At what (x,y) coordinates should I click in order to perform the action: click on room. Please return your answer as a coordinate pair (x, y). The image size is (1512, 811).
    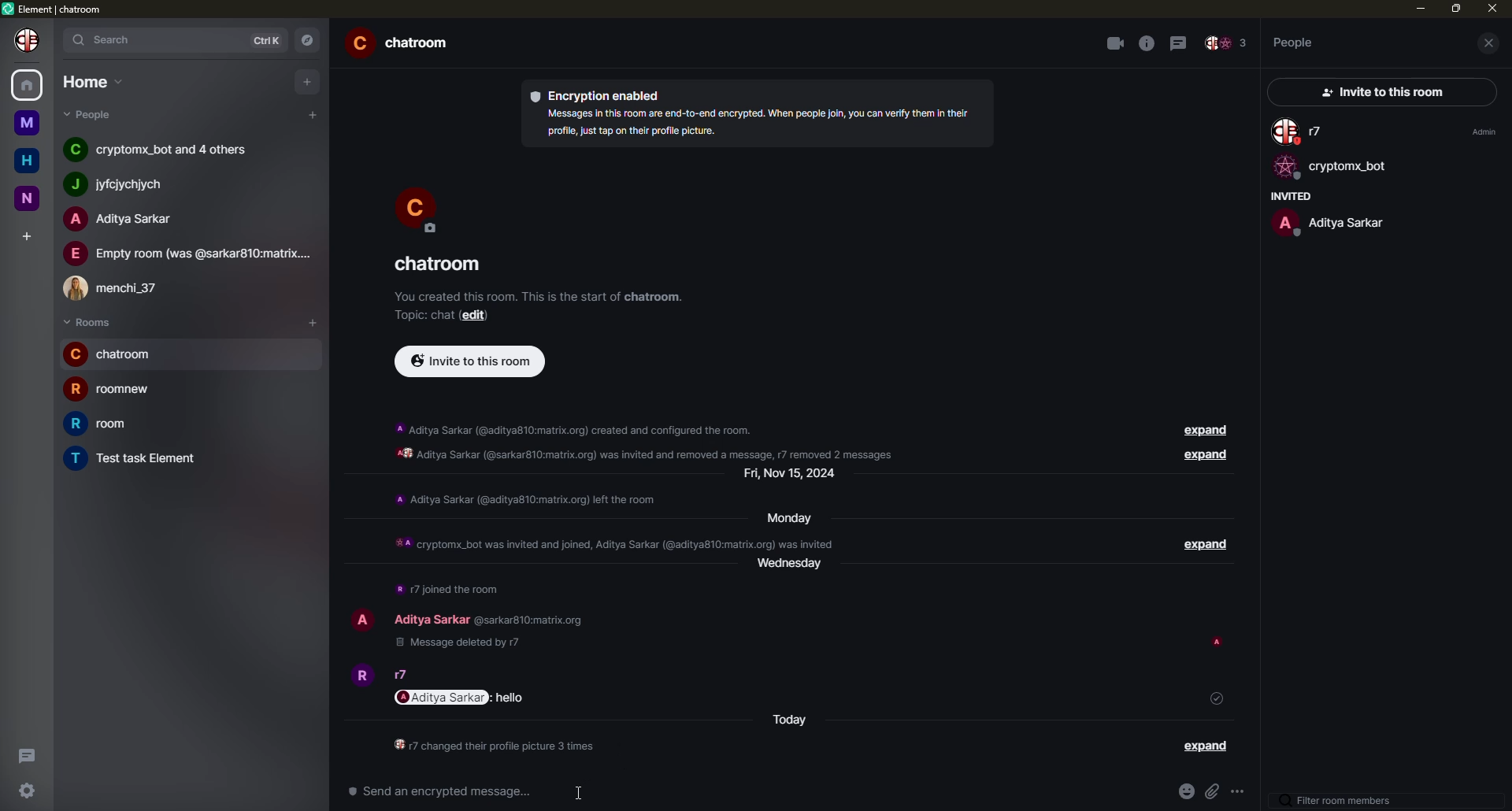
    Looking at the image, I should click on (111, 424).